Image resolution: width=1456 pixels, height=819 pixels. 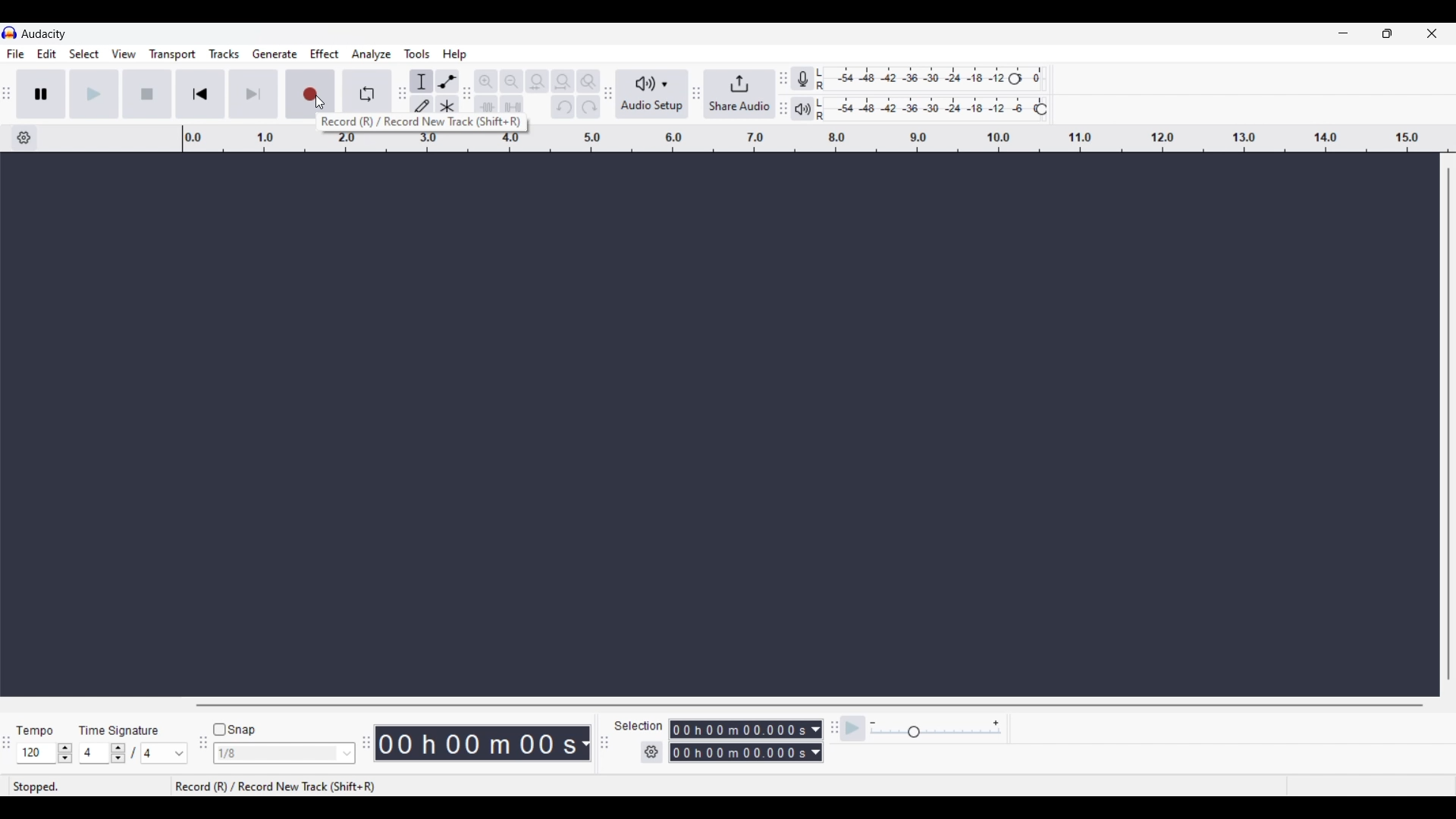 I want to click on Horizontal slide bar, so click(x=808, y=706).